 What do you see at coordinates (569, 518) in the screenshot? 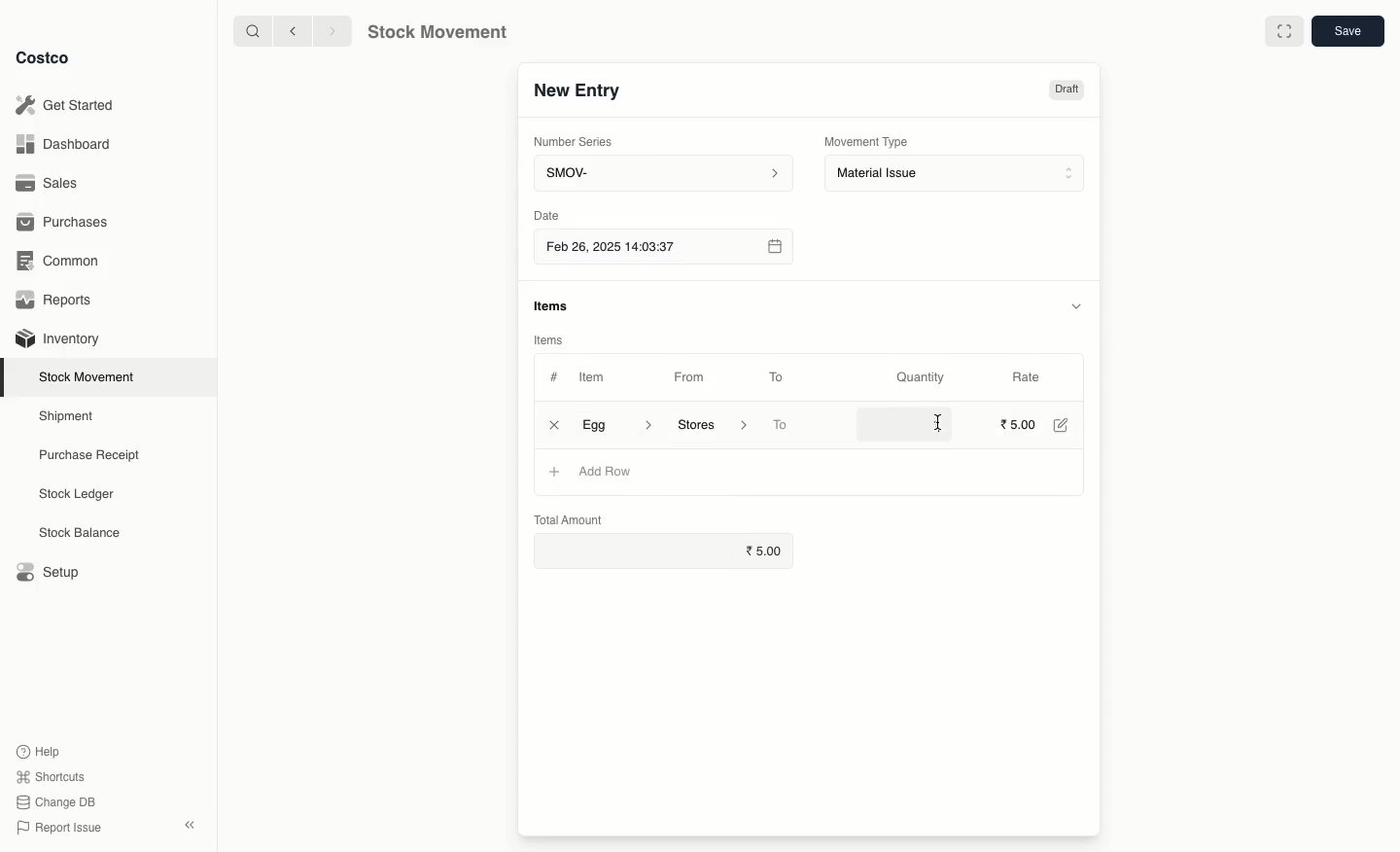
I see `Total Amount` at bounding box center [569, 518].